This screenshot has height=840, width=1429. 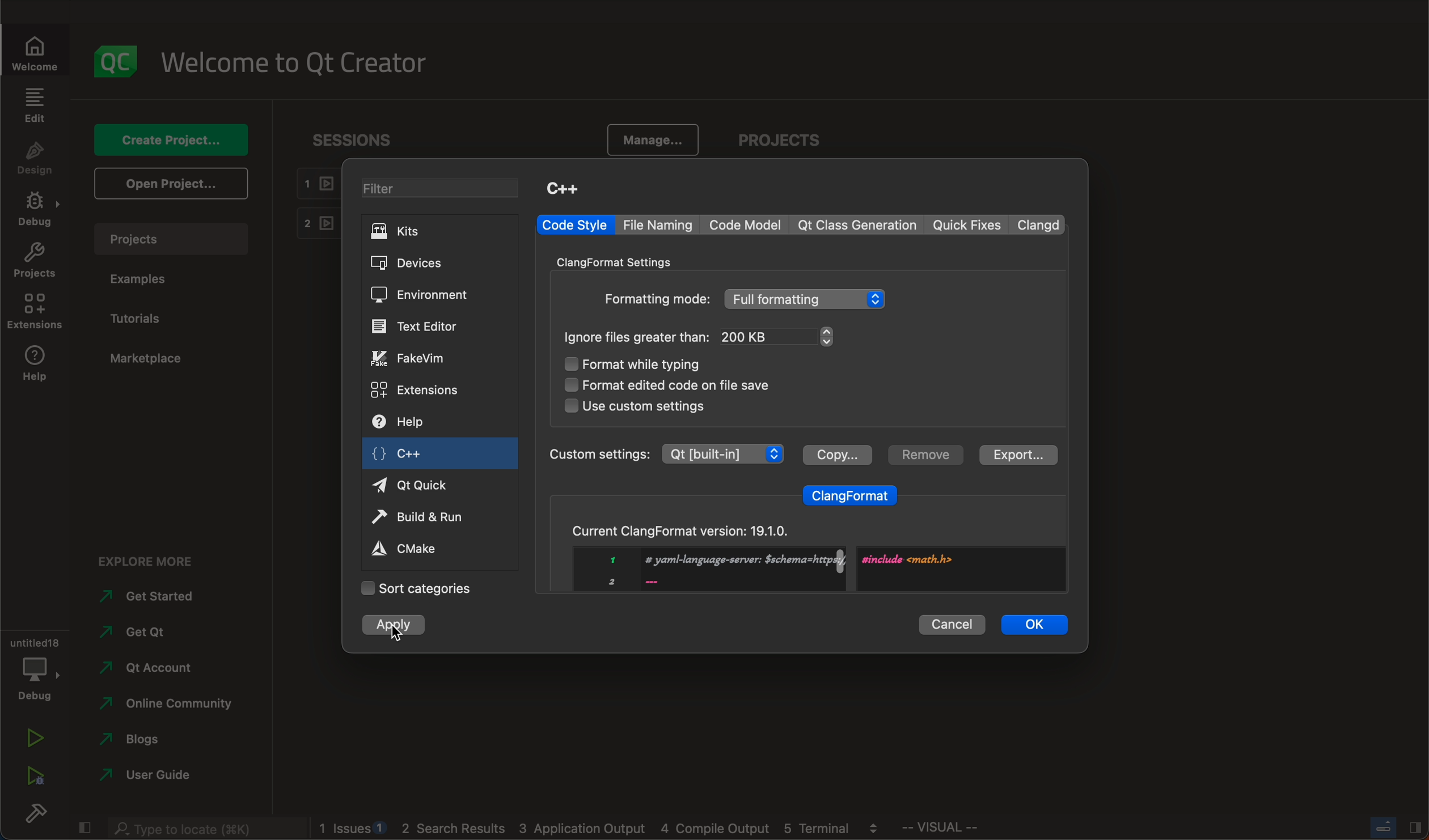 I want to click on full formating, so click(x=807, y=299).